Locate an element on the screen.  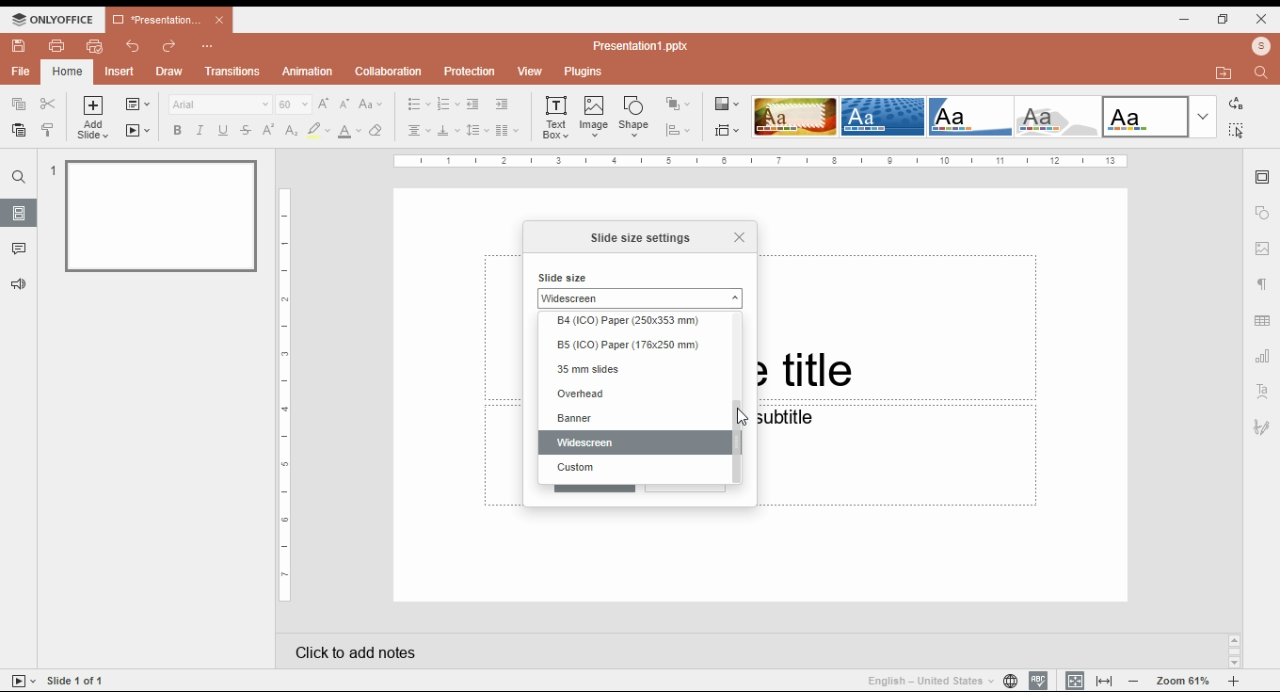
change color theme is located at coordinates (727, 104).